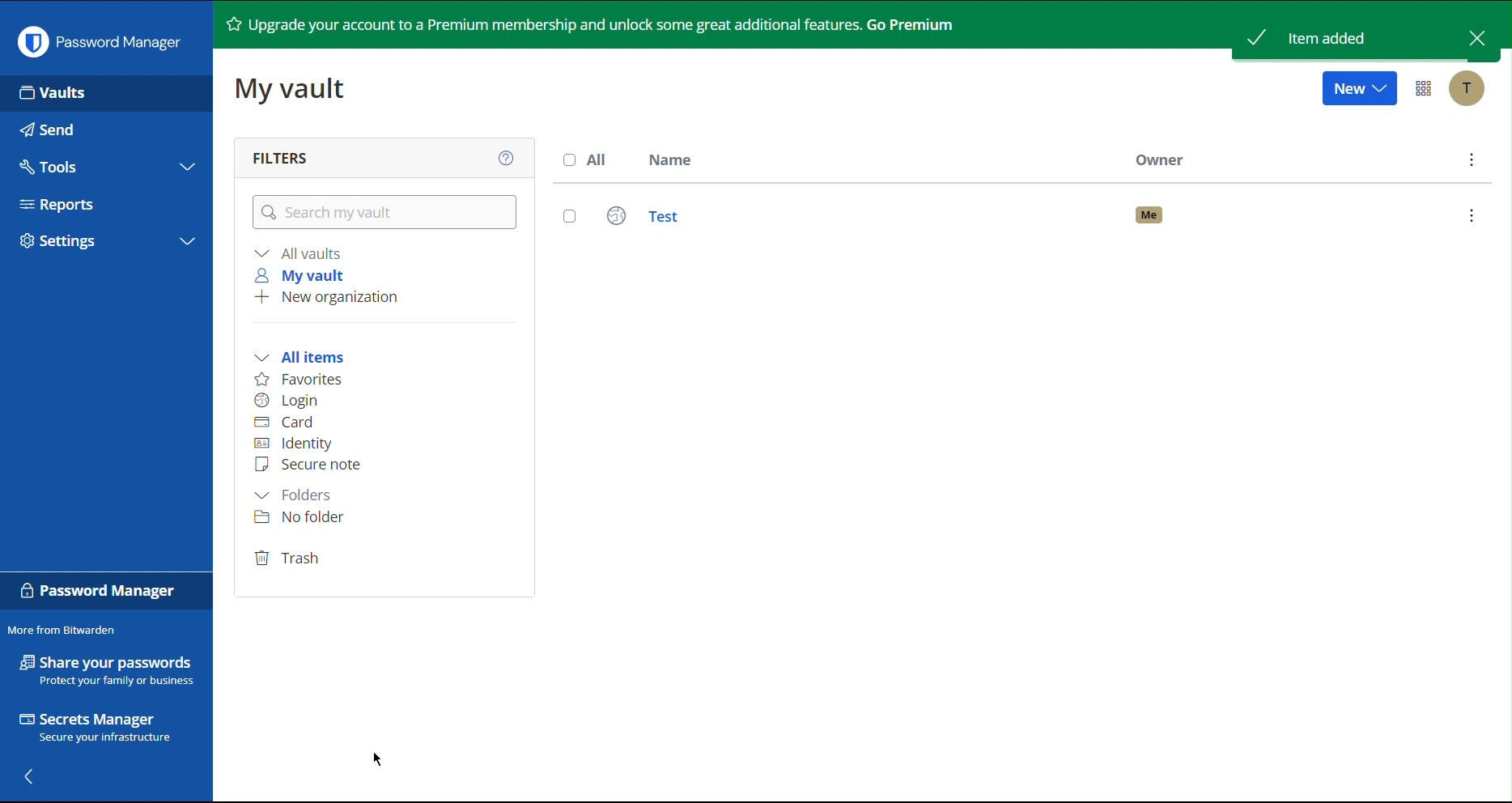  What do you see at coordinates (385, 212) in the screenshot?
I see `Search my vault` at bounding box center [385, 212].